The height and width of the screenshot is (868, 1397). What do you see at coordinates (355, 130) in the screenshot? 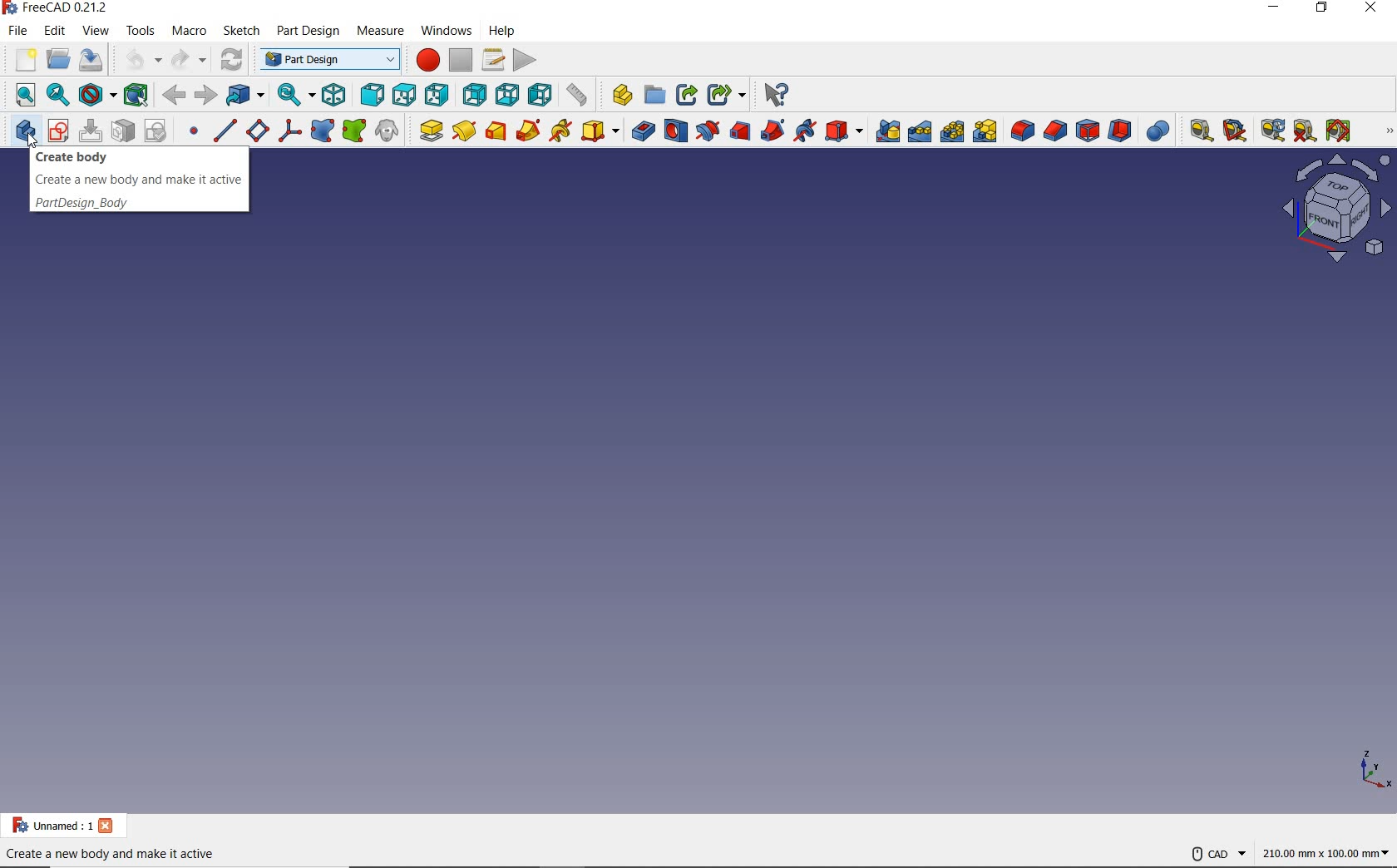
I see `CREATE A SUB-OBJECT SHAPE BINDER` at bounding box center [355, 130].